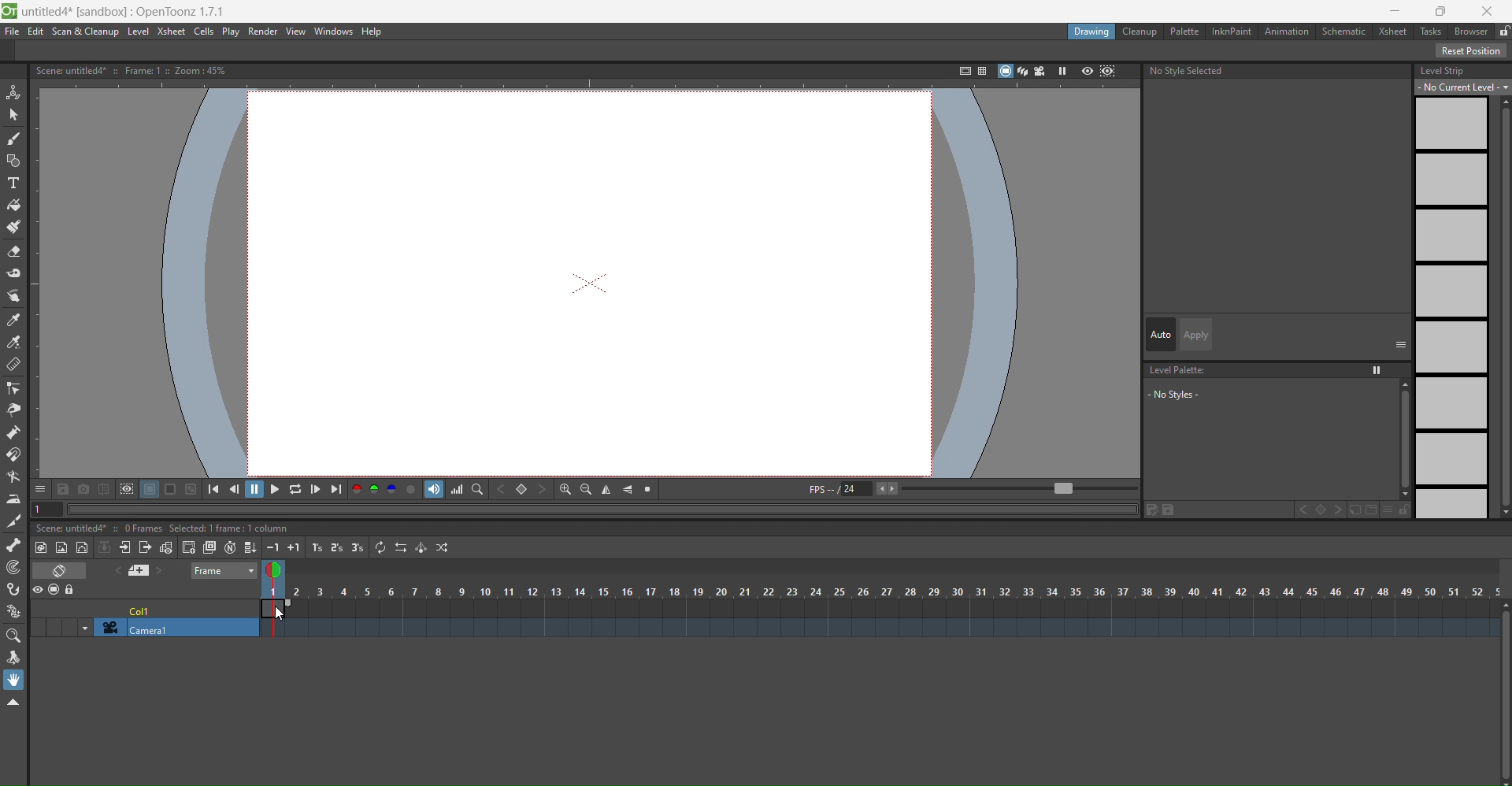 This screenshot has width=1512, height=786. I want to click on rgb picker tool, so click(13, 343).